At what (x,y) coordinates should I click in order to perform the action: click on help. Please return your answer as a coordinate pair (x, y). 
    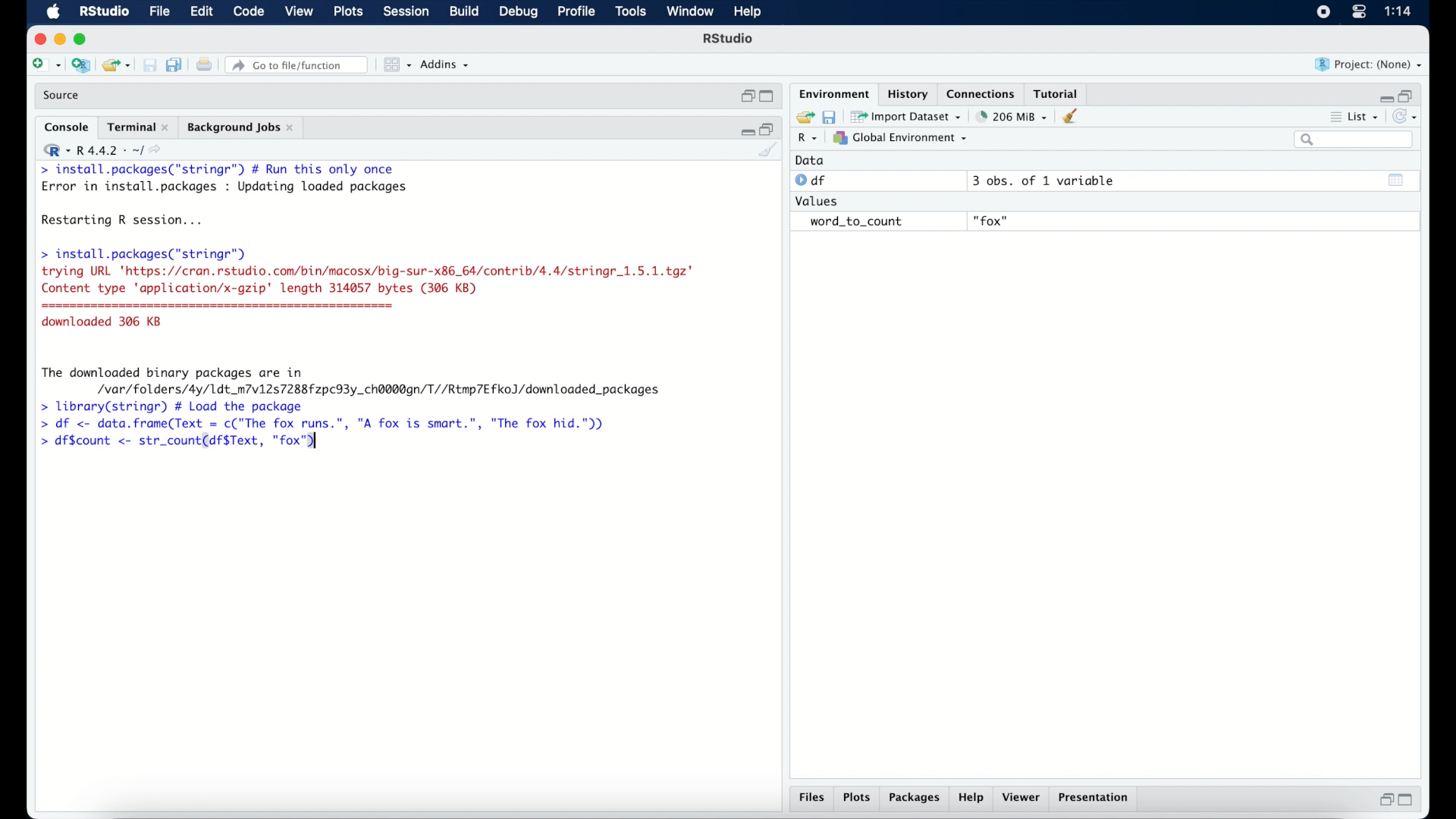
    Looking at the image, I should click on (973, 799).